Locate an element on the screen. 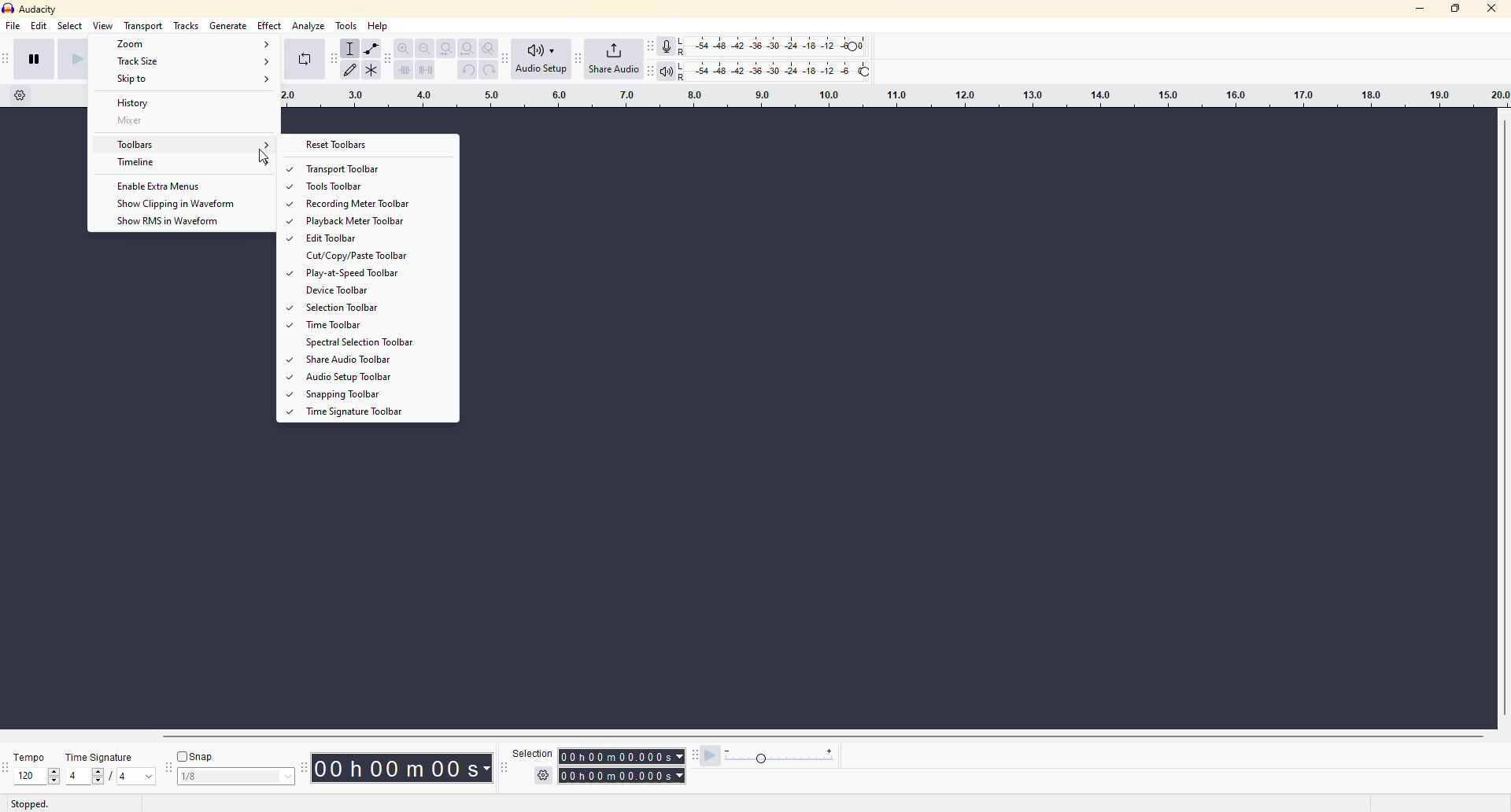 The image size is (1511, 812). audacity recording meter toolbar is located at coordinates (652, 46).